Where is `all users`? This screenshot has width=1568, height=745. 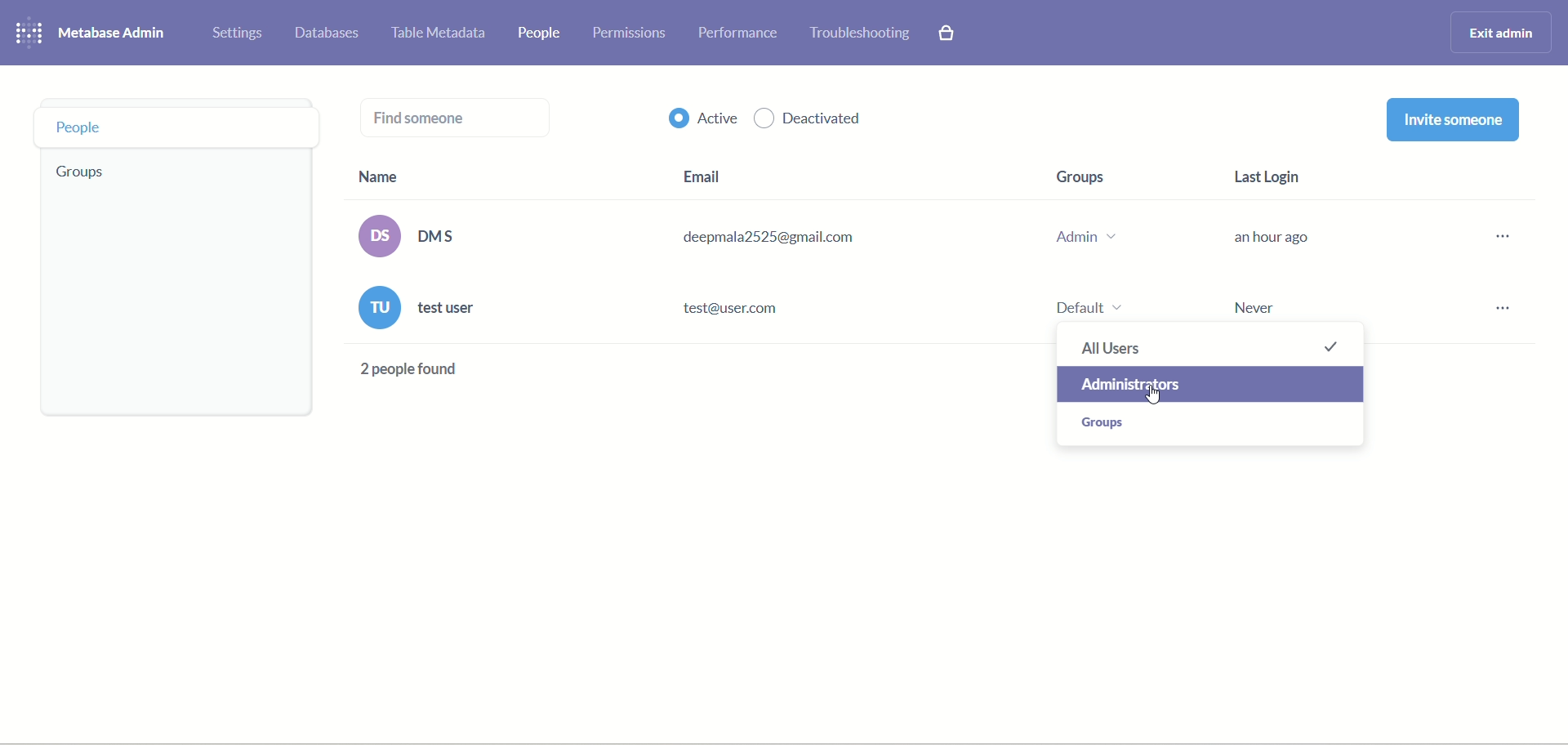 all users is located at coordinates (1125, 344).